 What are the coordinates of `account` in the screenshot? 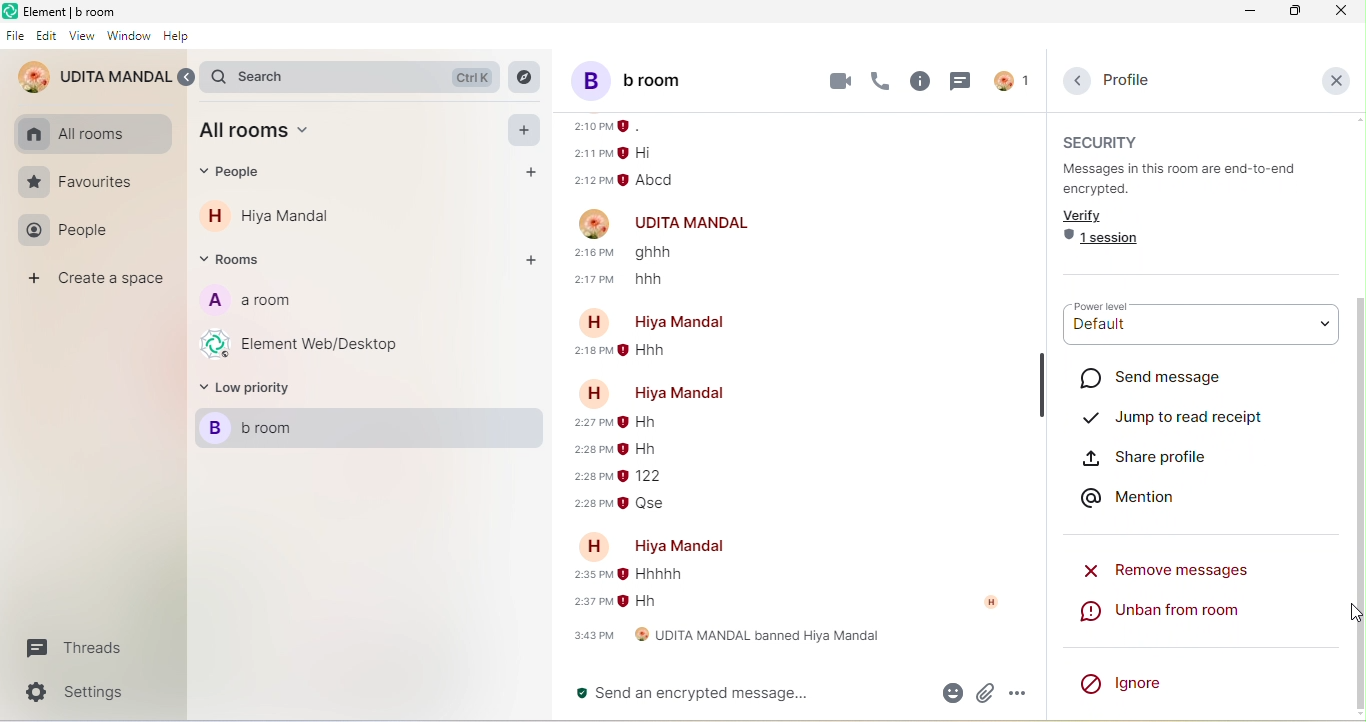 It's located at (999, 603).